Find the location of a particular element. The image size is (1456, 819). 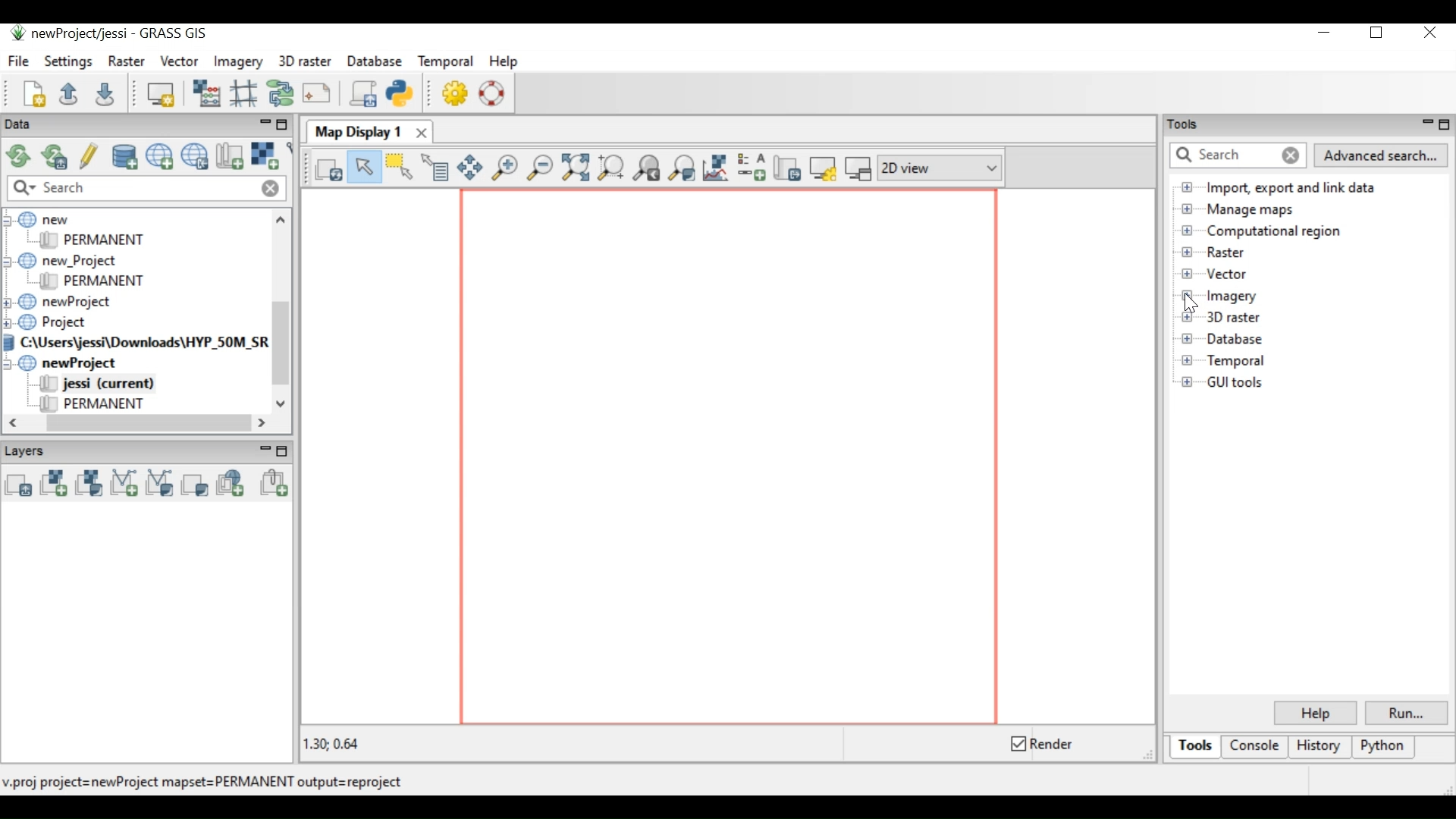

Query raster/vector map is located at coordinates (433, 168).